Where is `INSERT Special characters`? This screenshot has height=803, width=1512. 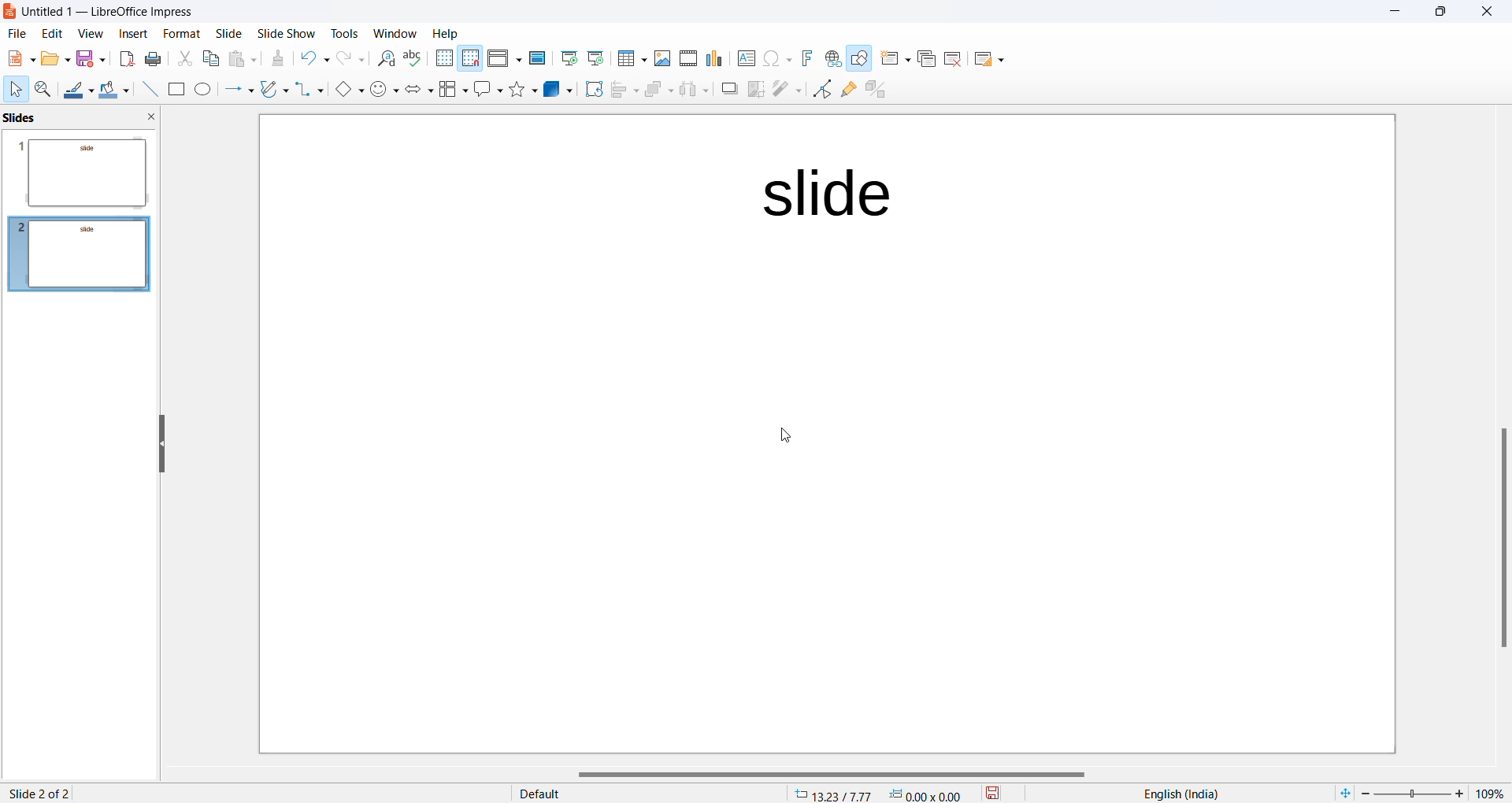 INSERT Special characters is located at coordinates (774, 58).